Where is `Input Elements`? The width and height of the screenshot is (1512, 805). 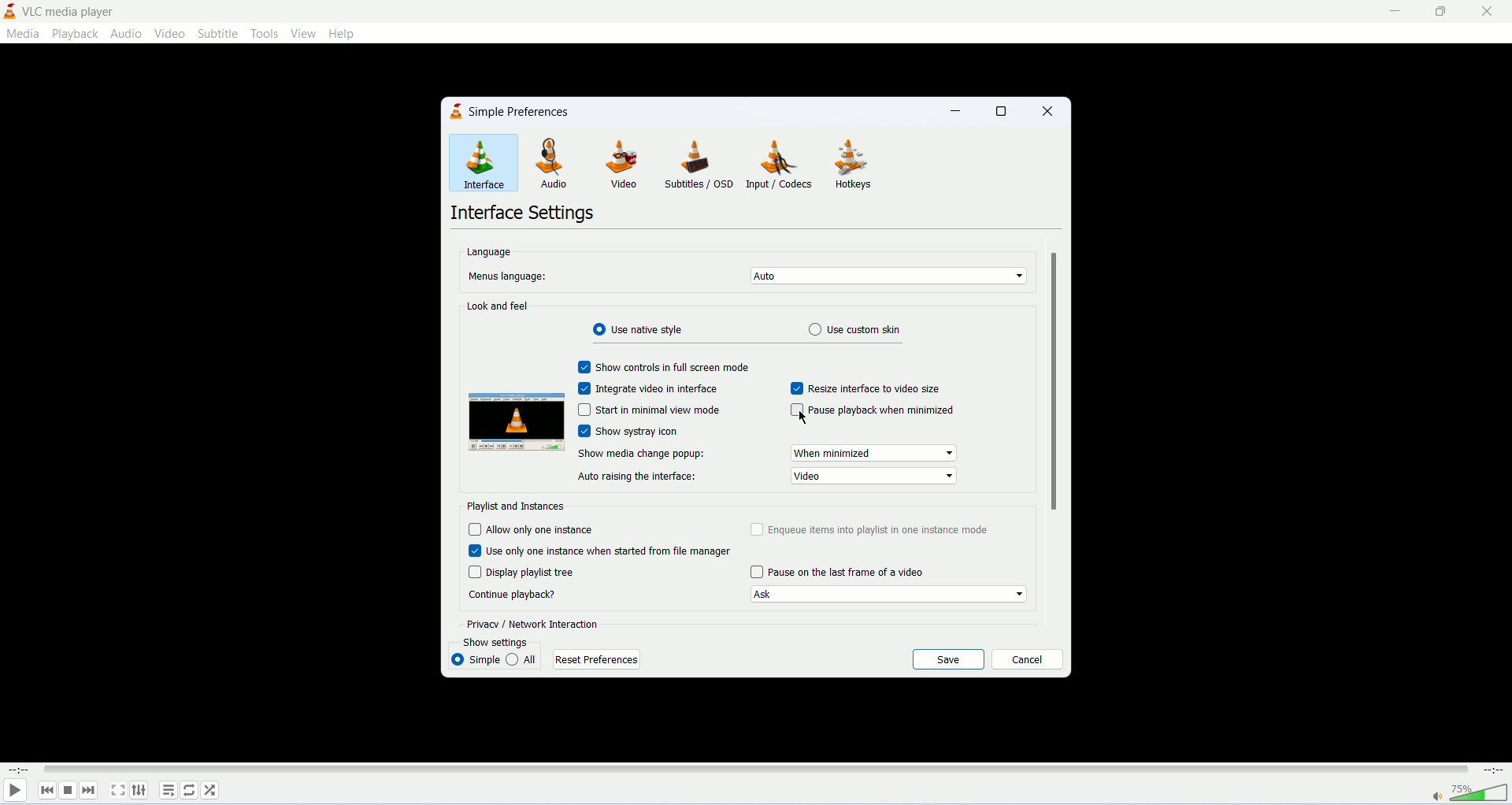 Input Elements is located at coordinates (584, 410).